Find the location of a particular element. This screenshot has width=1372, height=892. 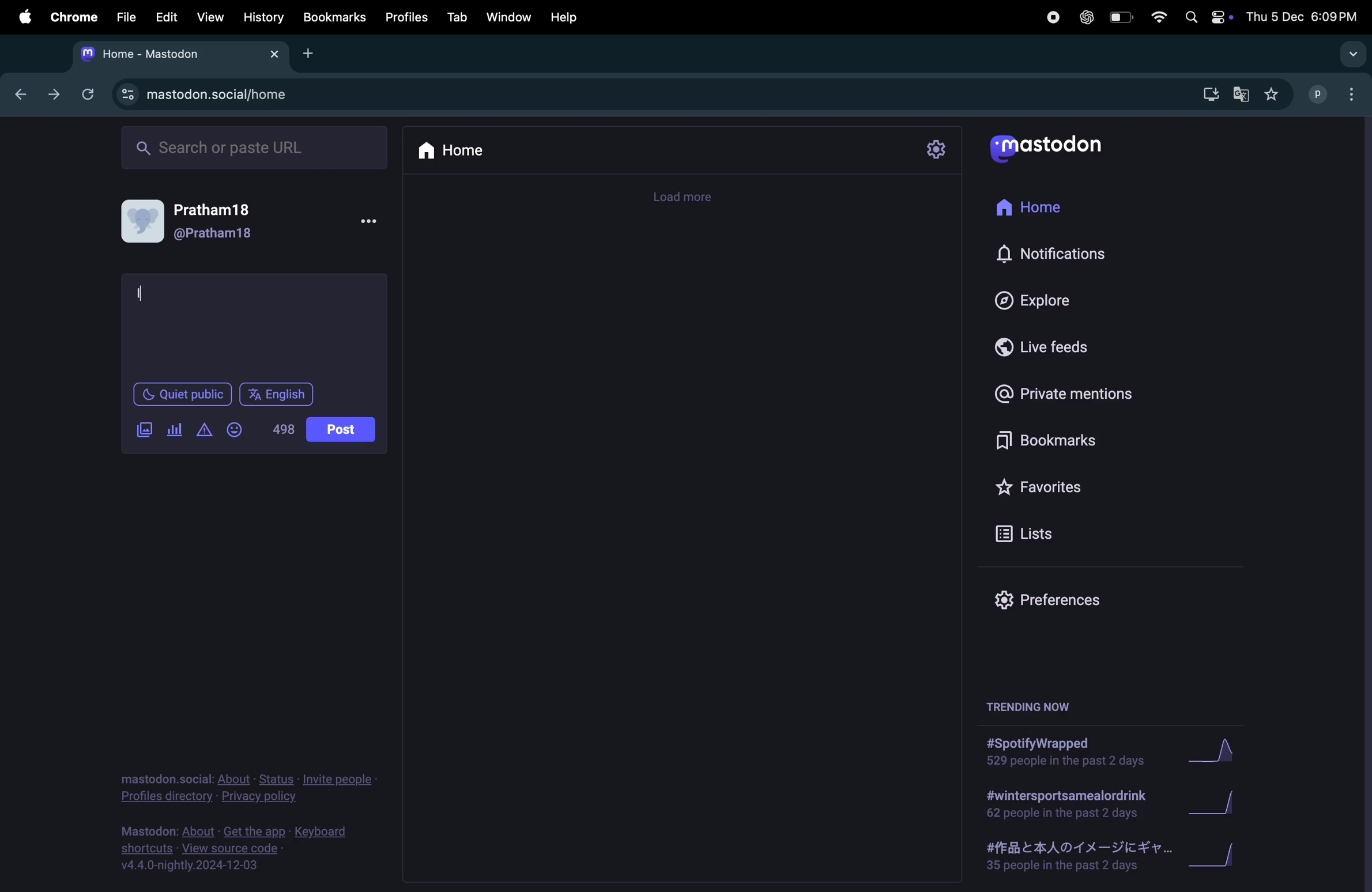

lists is located at coordinates (1044, 532).